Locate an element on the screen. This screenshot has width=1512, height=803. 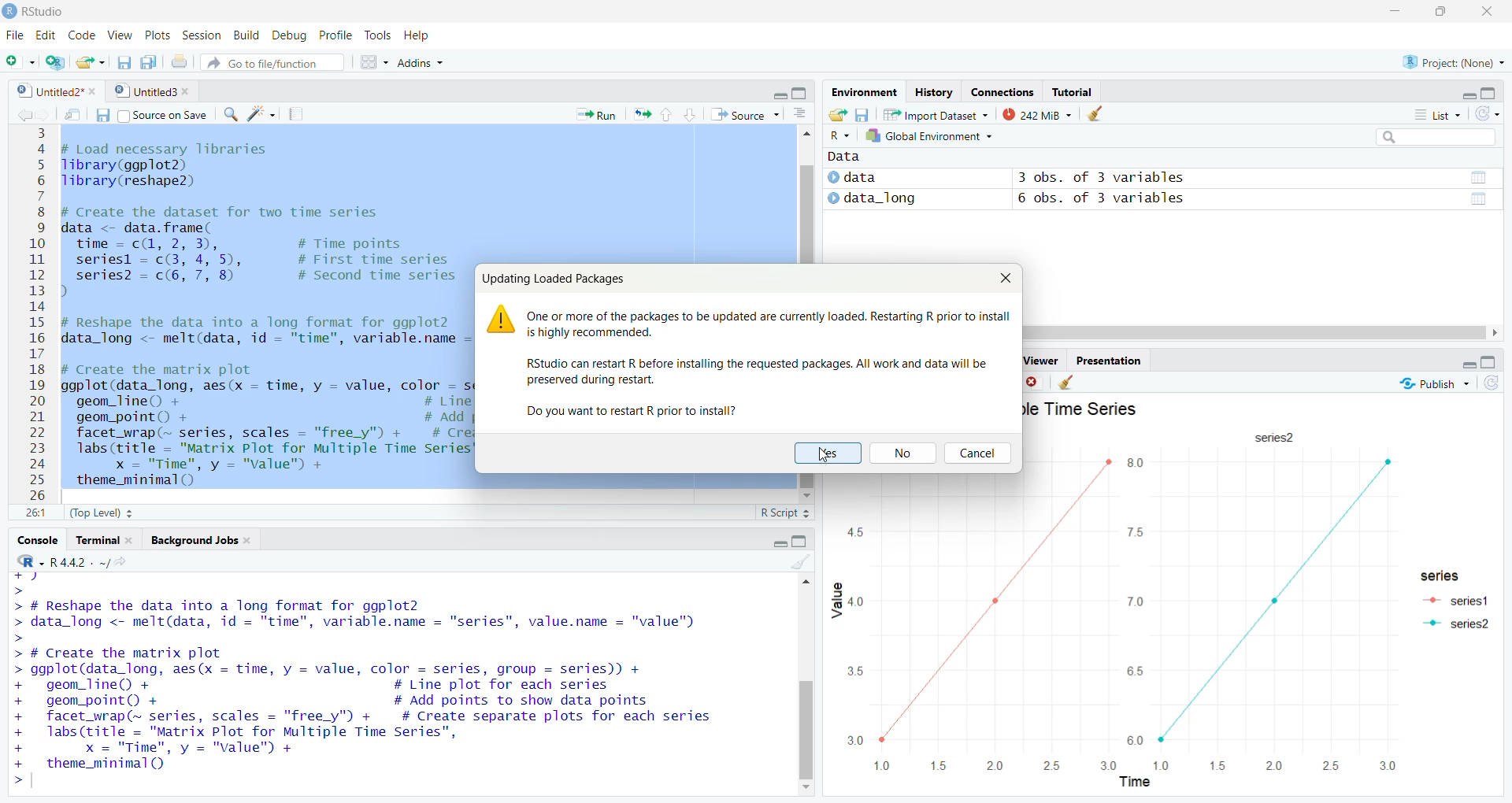
Close is located at coordinates (1003, 278).